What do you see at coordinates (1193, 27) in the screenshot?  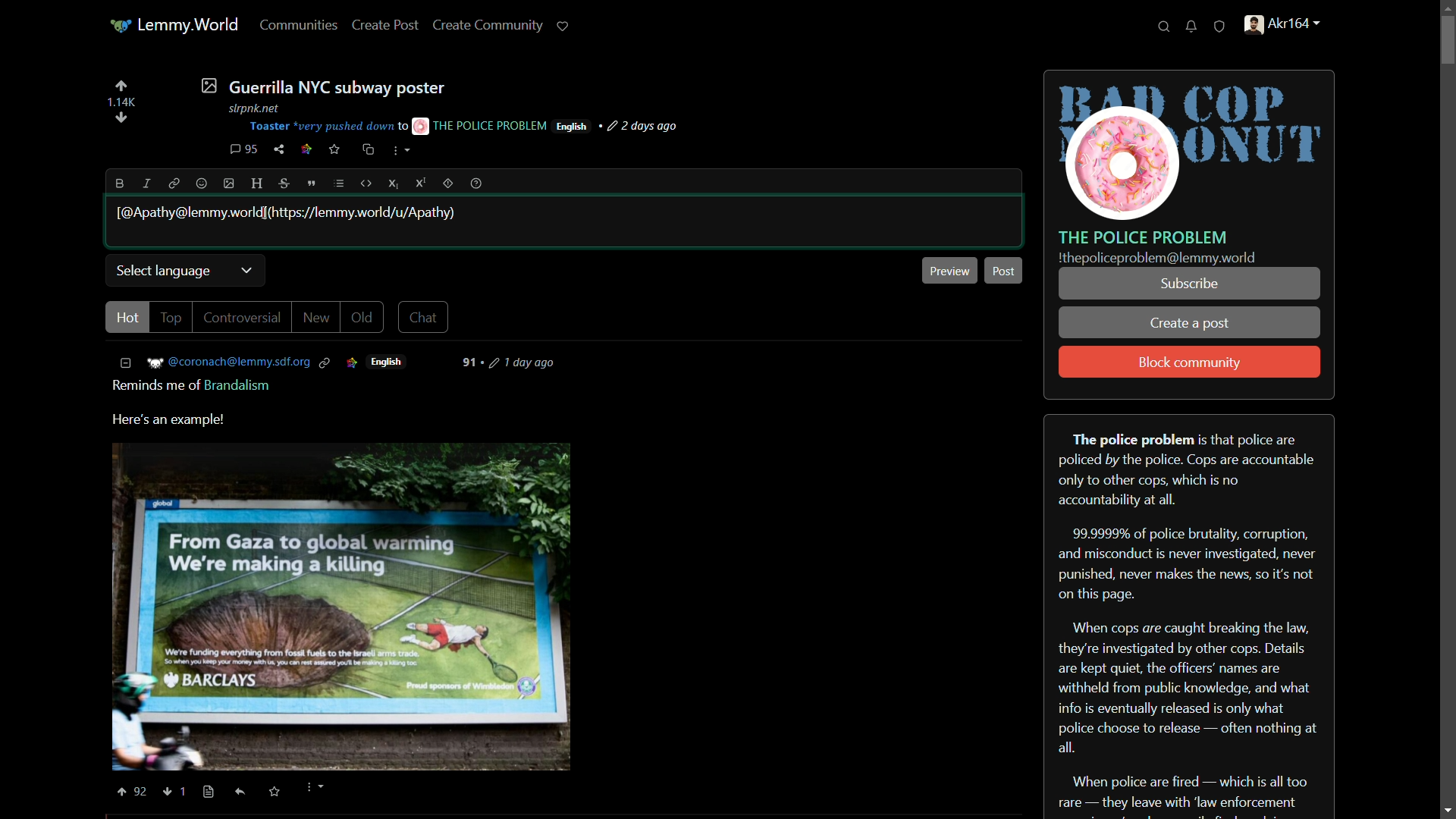 I see `unread notifications` at bounding box center [1193, 27].